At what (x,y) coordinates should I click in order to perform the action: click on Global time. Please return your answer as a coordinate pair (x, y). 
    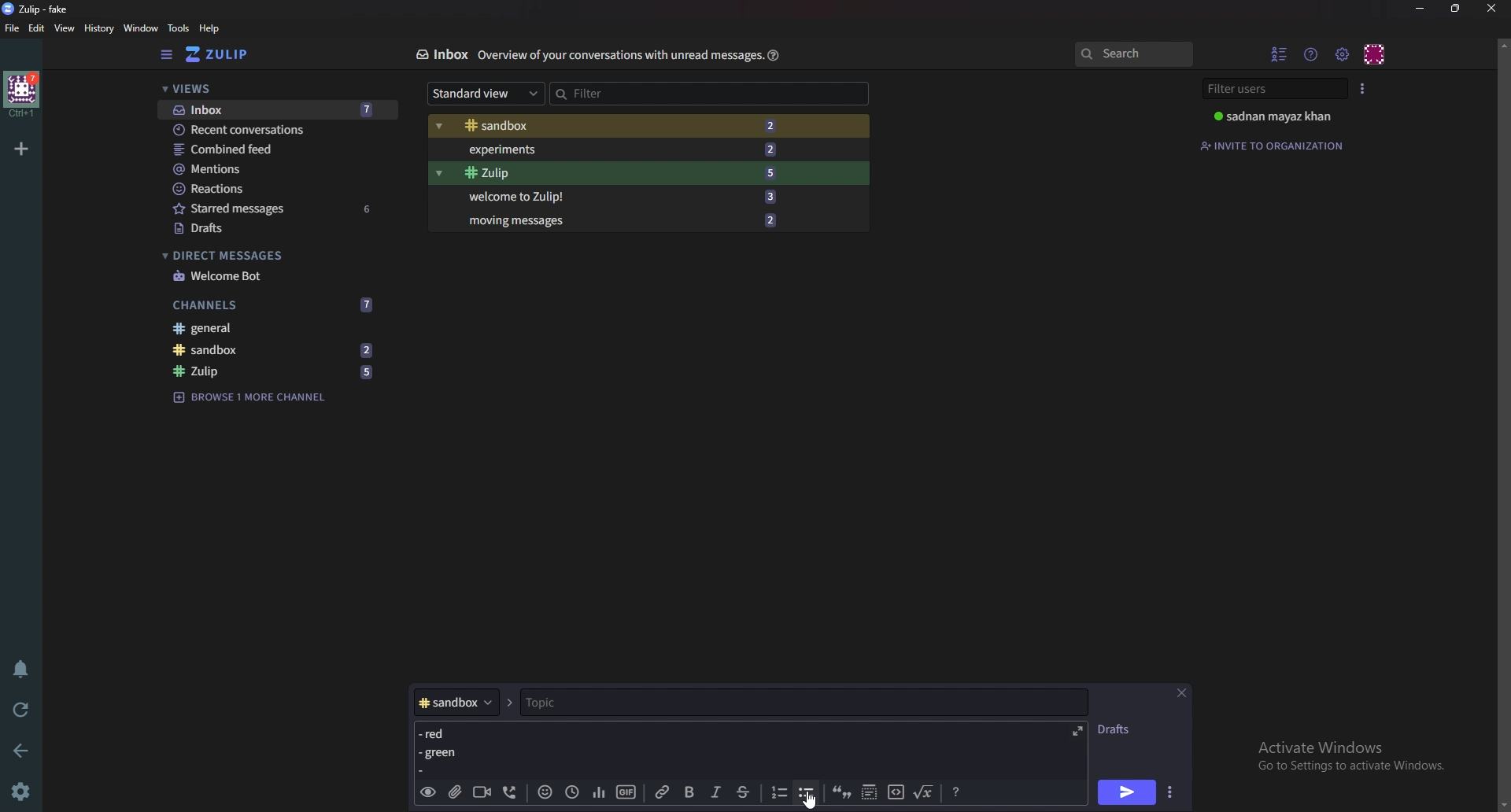
    Looking at the image, I should click on (571, 792).